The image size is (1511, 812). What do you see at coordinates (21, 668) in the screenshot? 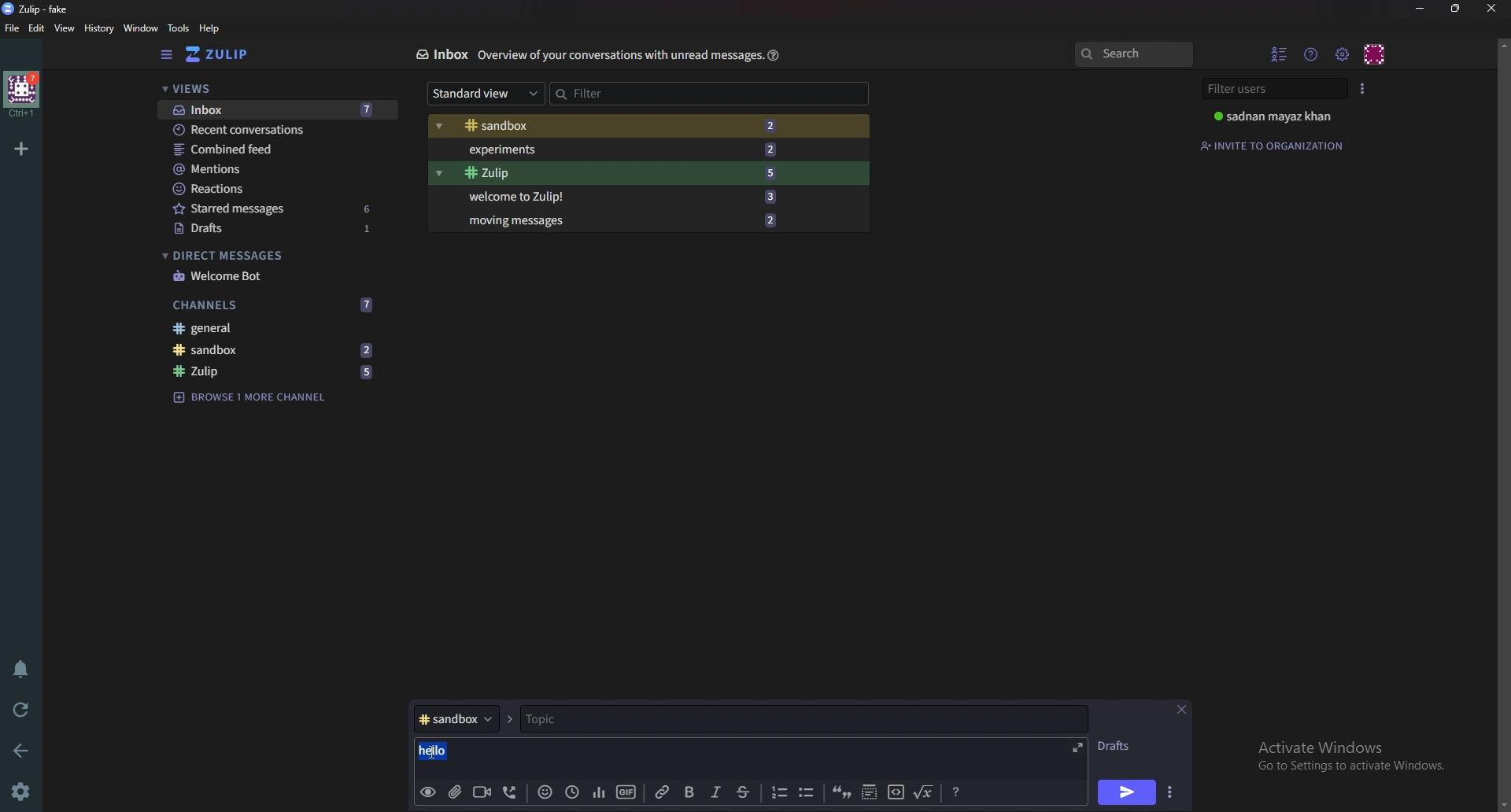
I see `Enable do not disturb` at bounding box center [21, 668].